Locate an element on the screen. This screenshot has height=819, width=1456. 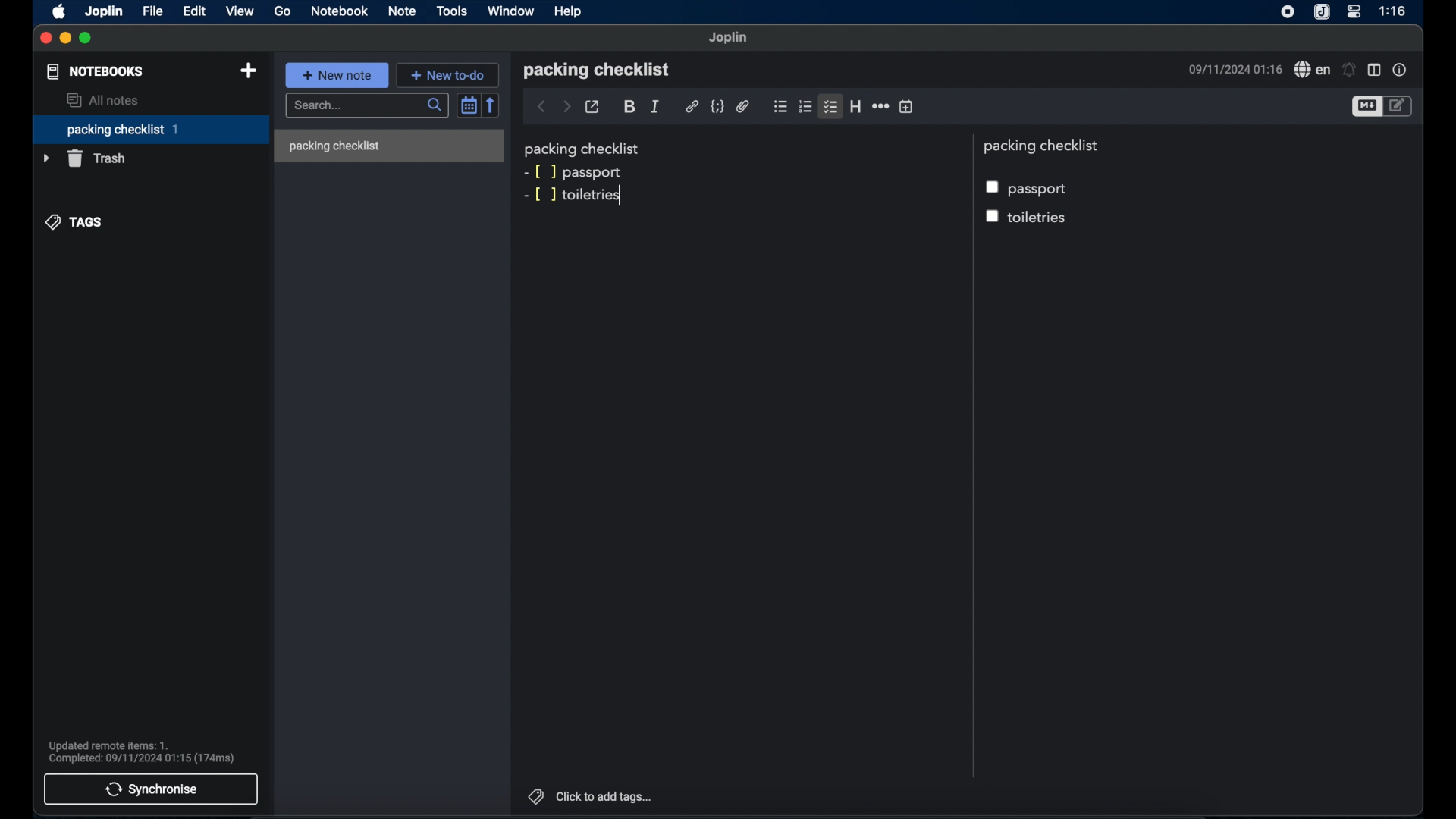
tools is located at coordinates (453, 11).